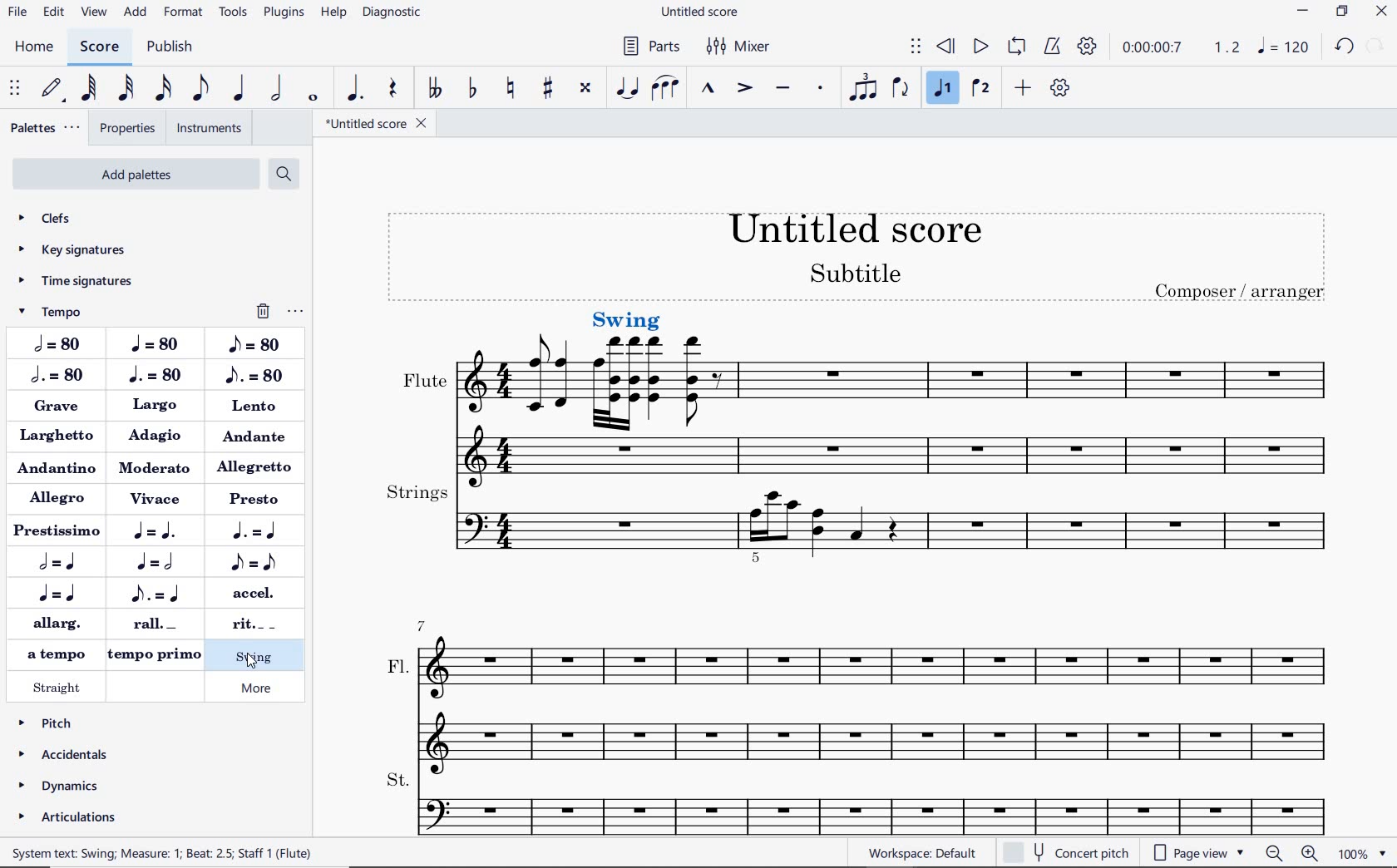  What do you see at coordinates (979, 86) in the screenshot?
I see `VOICE 2` at bounding box center [979, 86].